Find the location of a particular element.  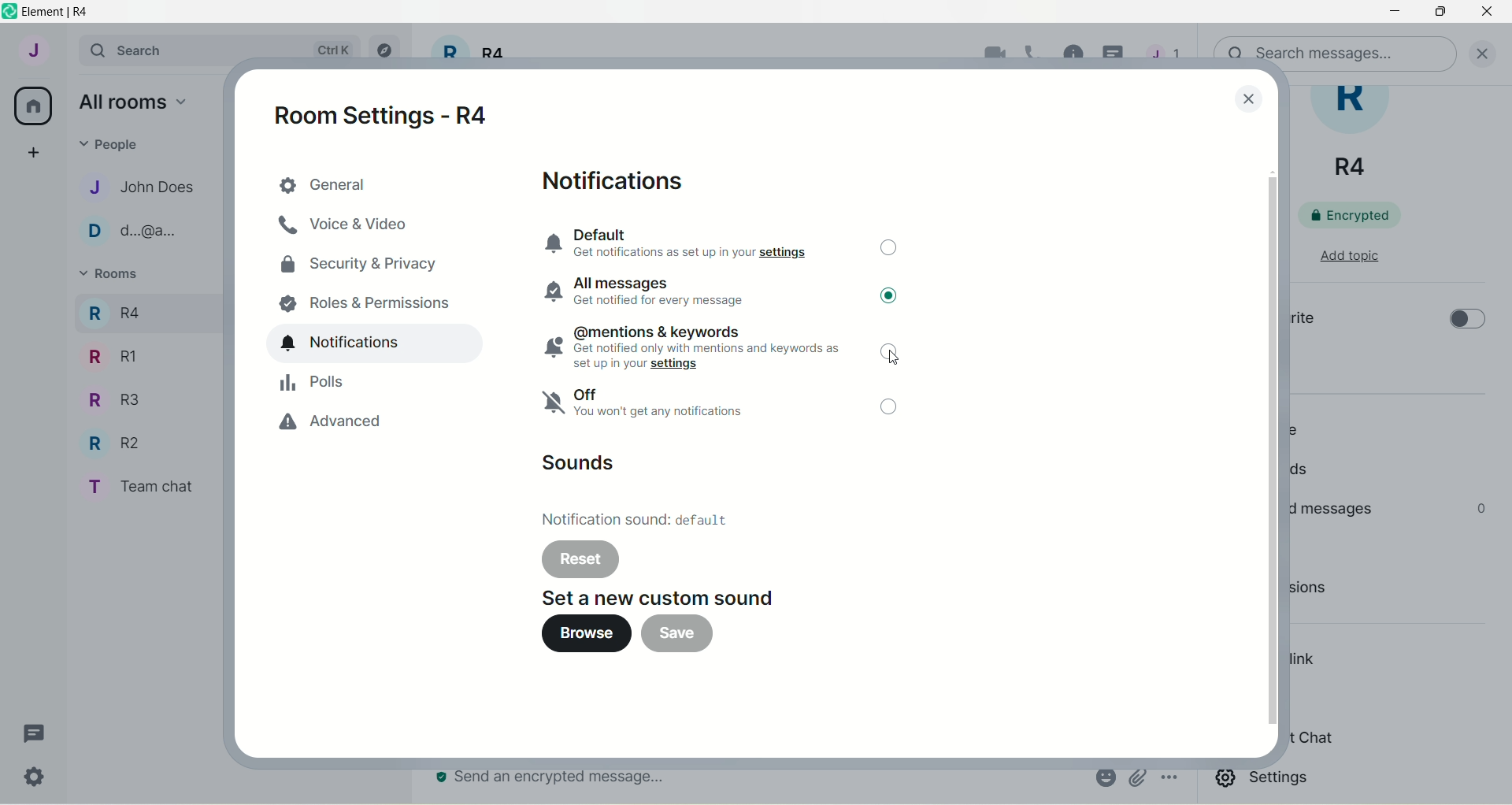

encrypted is located at coordinates (1360, 214).